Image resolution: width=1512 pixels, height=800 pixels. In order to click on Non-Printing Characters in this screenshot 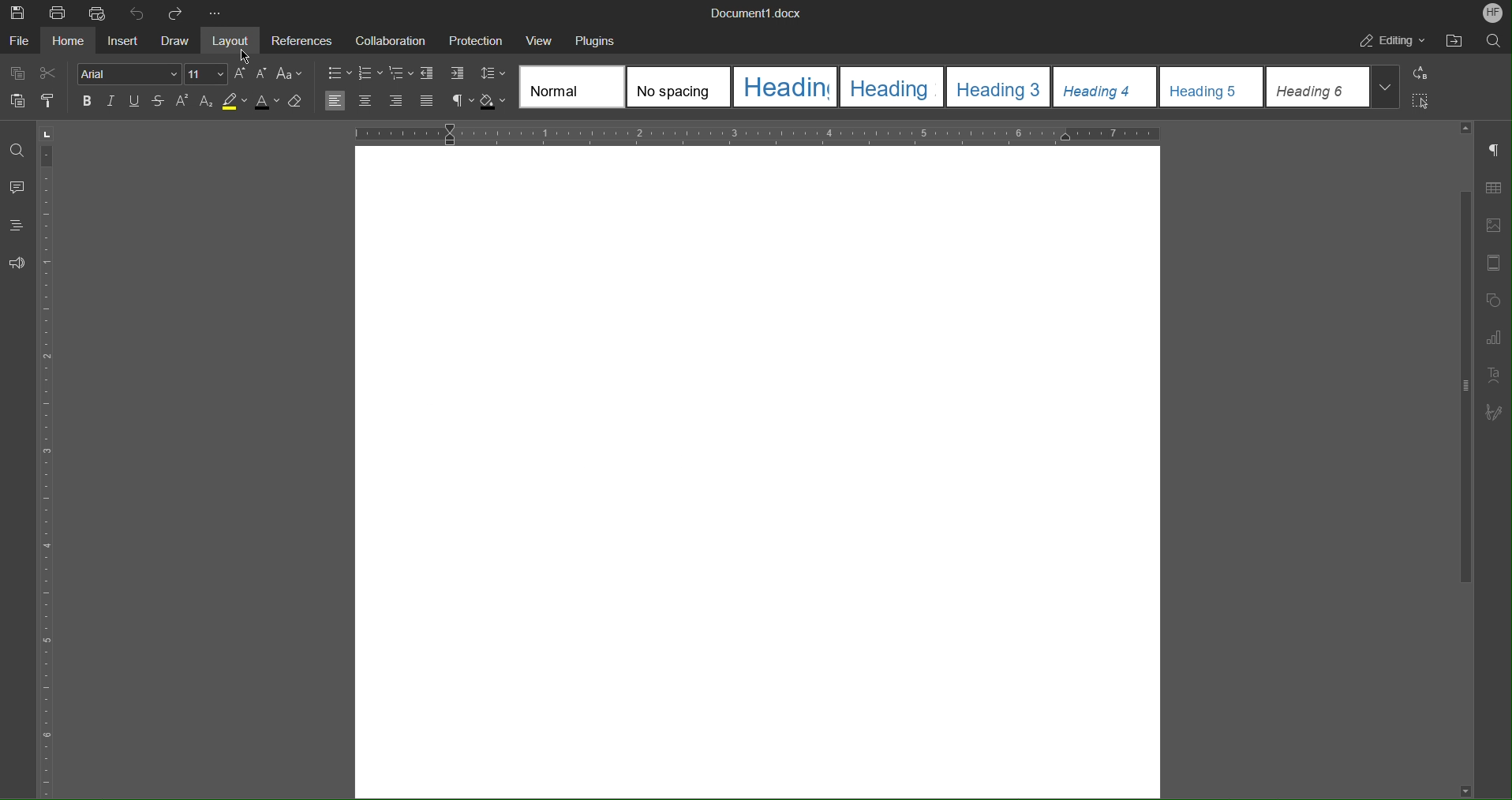, I will do `click(1495, 151)`.